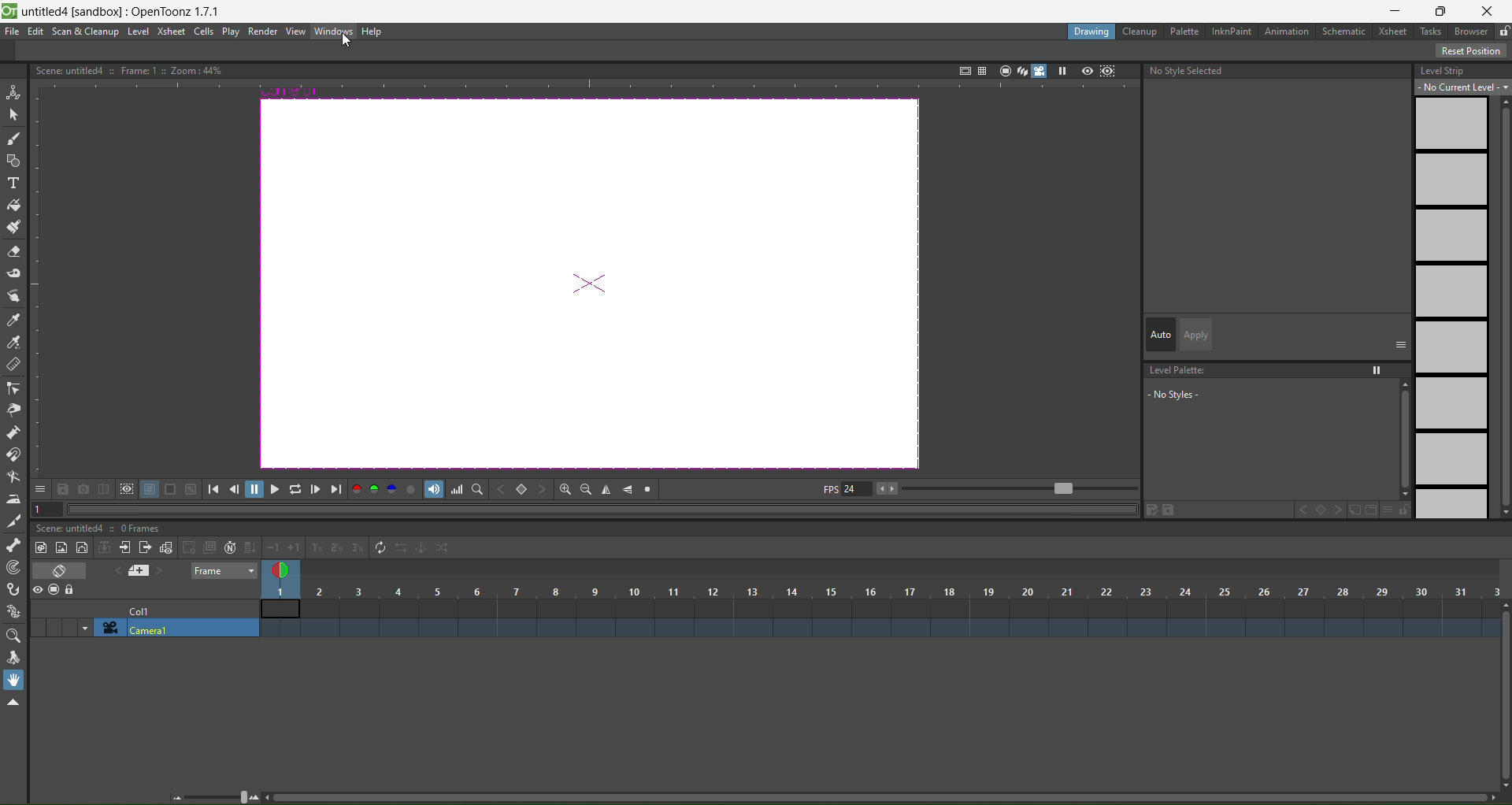 Image resolution: width=1512 pixels, height=805 pixels. What do you see at coordinates (139, 32) in the screenshot?
I see `level` at bounding box center [139, 32].